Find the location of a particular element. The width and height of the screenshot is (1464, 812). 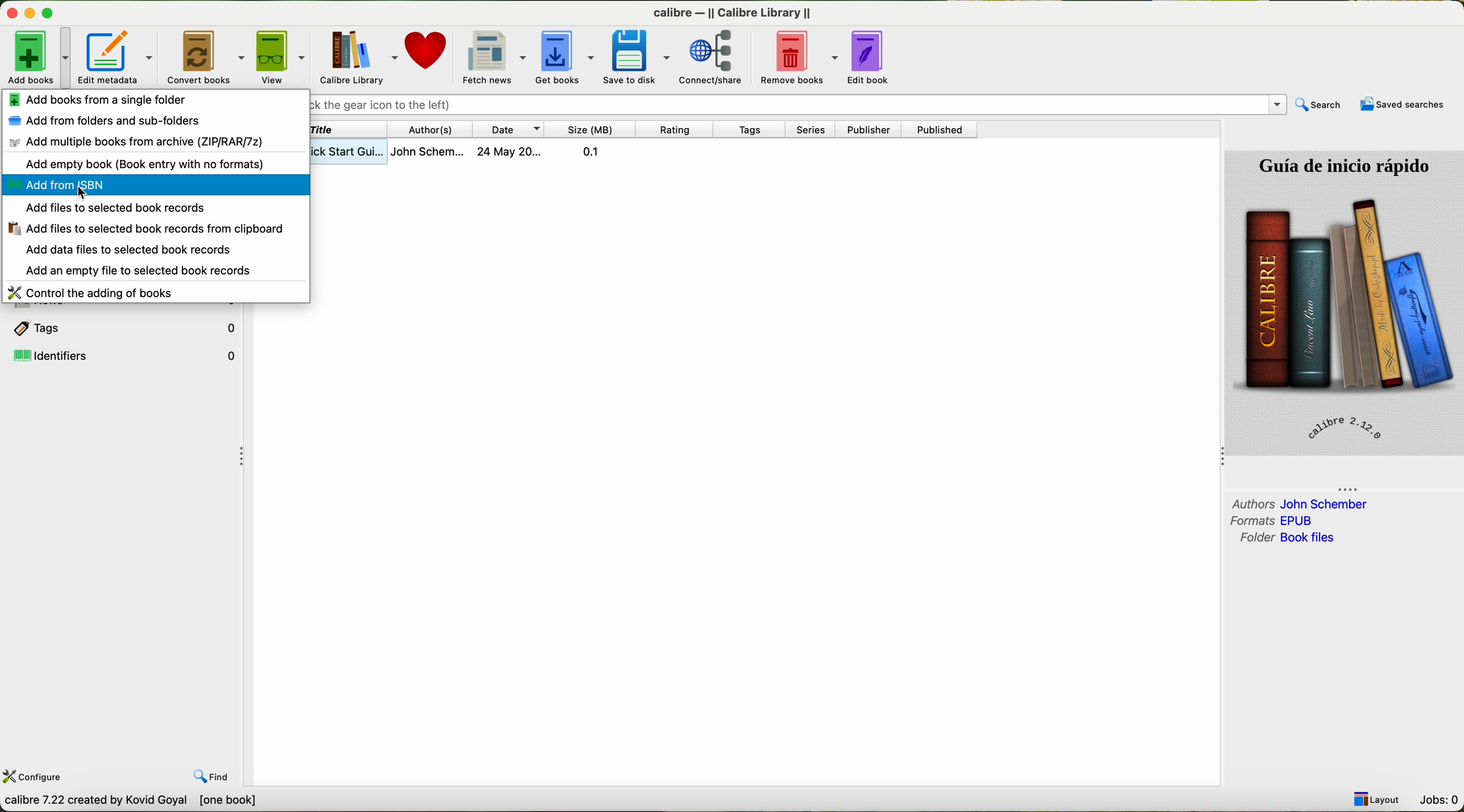

convert books is located at coordinates (207, 57).